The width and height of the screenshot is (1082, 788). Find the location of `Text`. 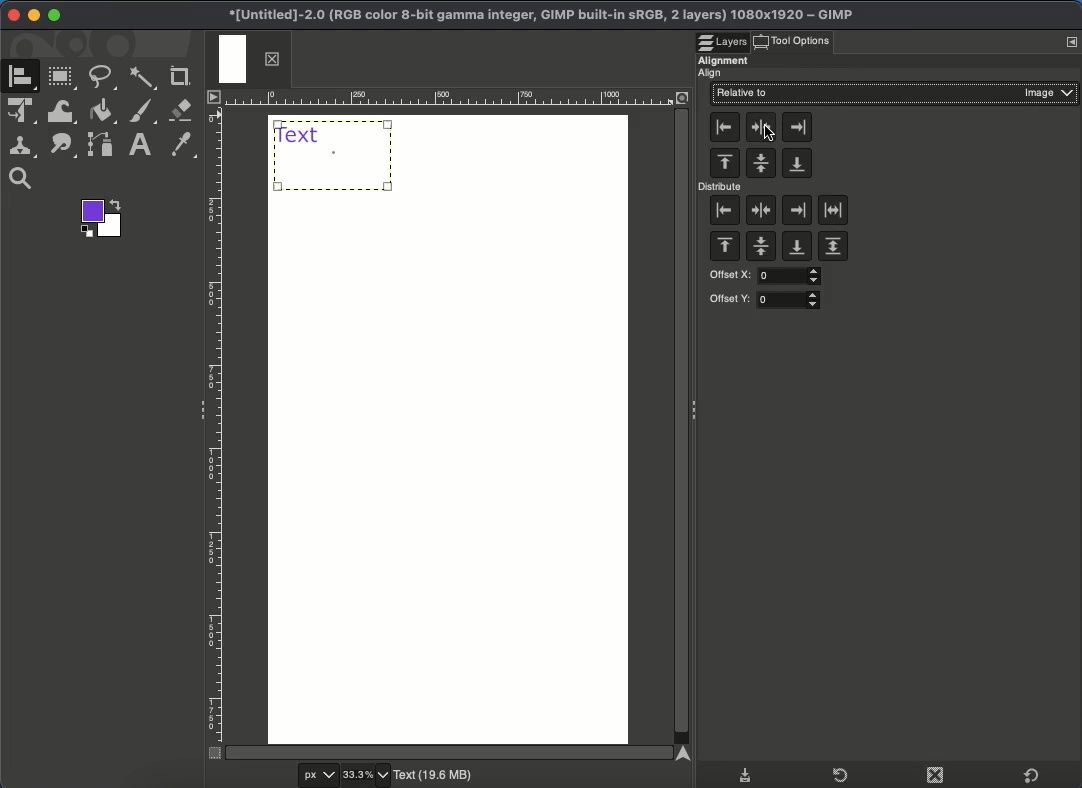

Text is located at coordinates (334, 154).